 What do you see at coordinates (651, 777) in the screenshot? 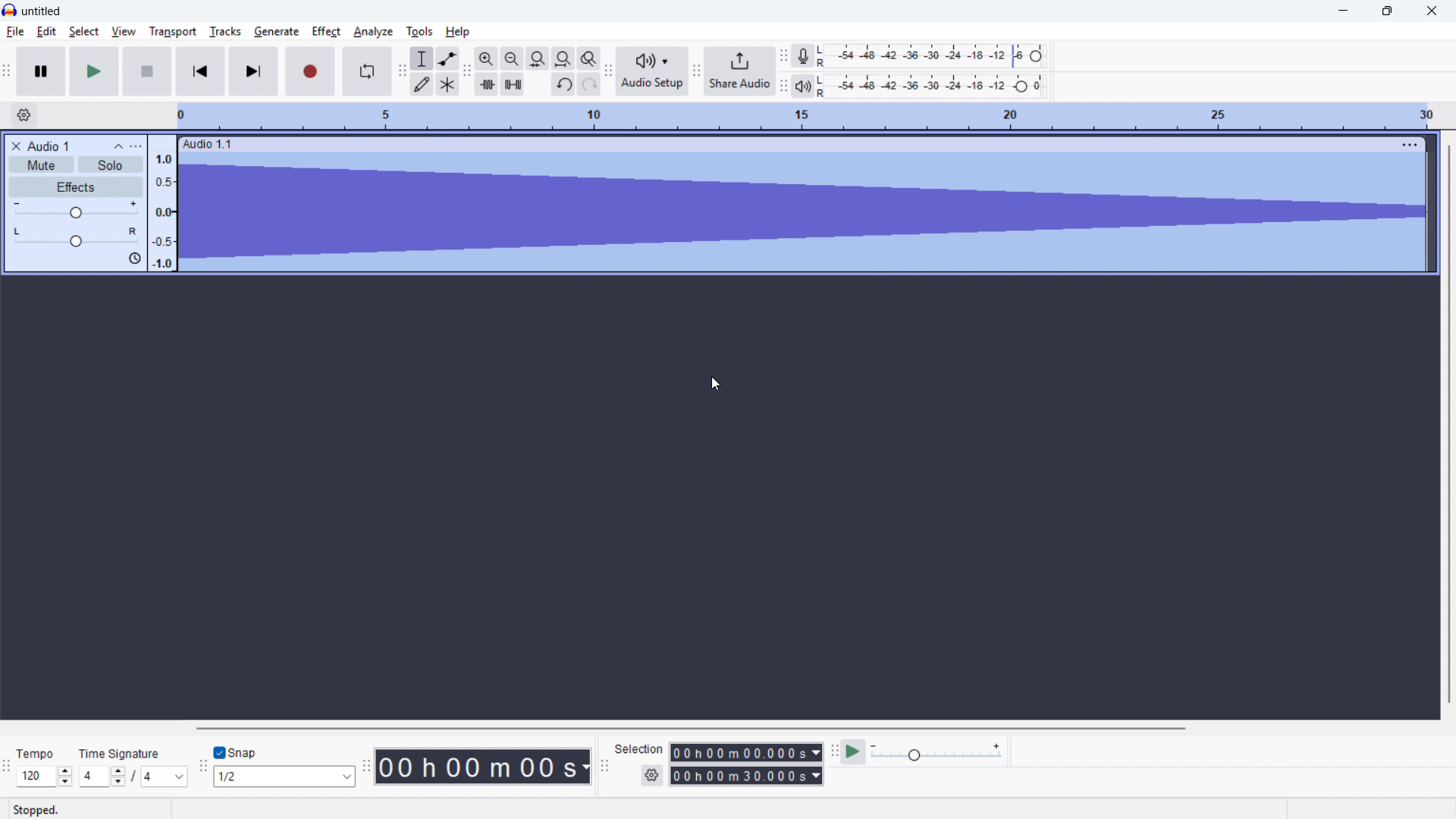
I see `Selection settings ` at bounding box center [651, 777].